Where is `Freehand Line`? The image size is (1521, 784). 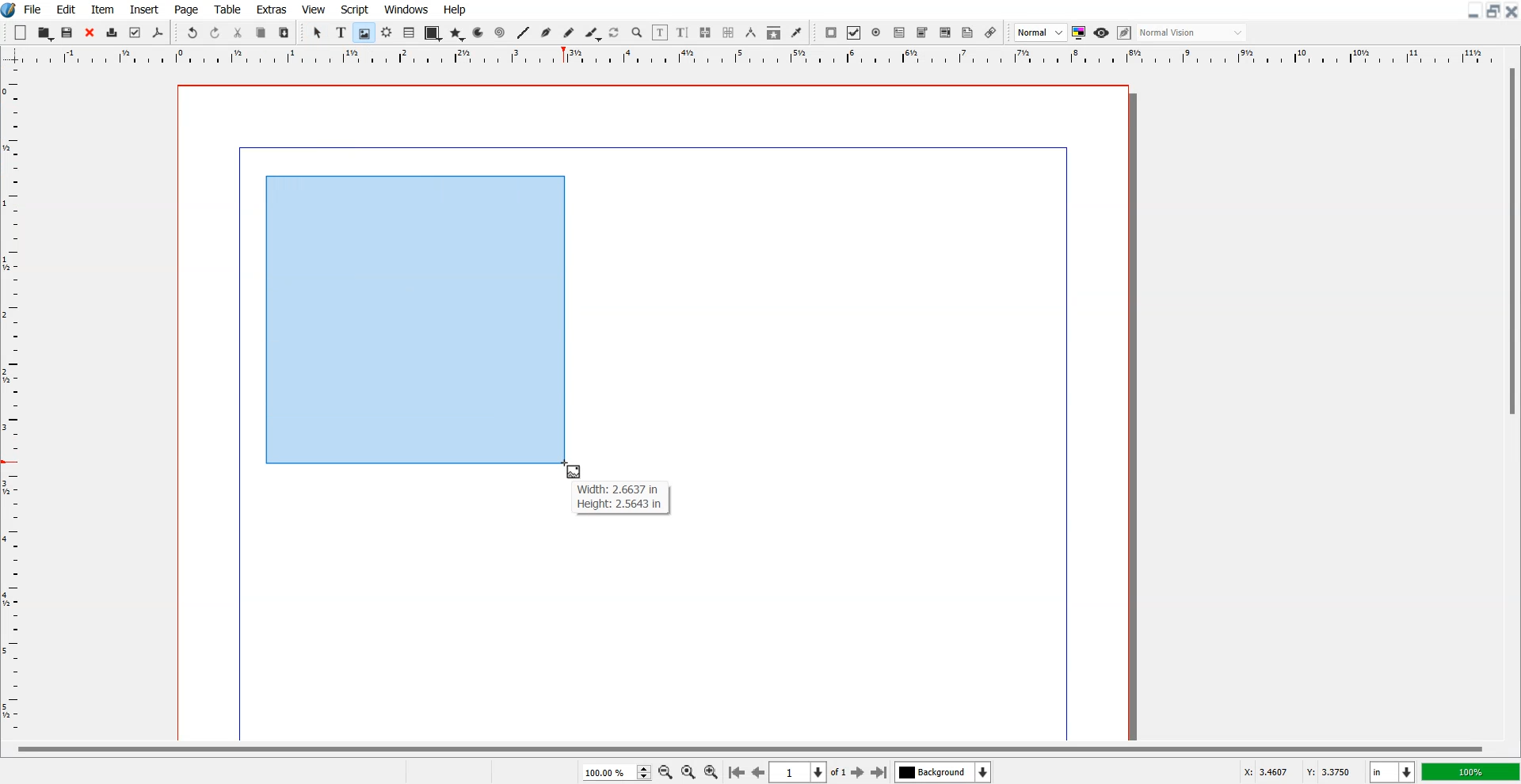
Freehand Line is located at coordinates (569, 32).